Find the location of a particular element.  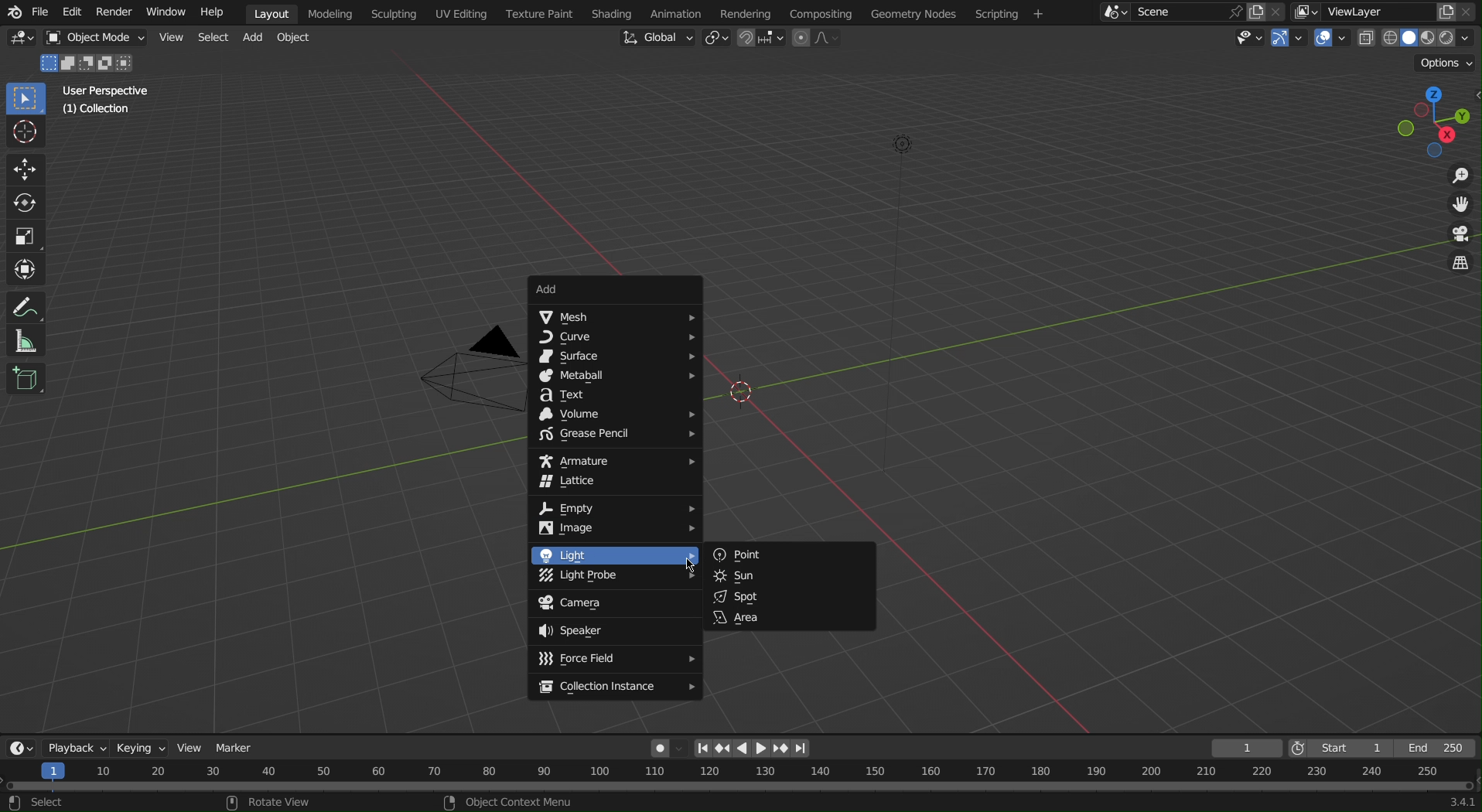

Light is located at coordinates (614, 554).